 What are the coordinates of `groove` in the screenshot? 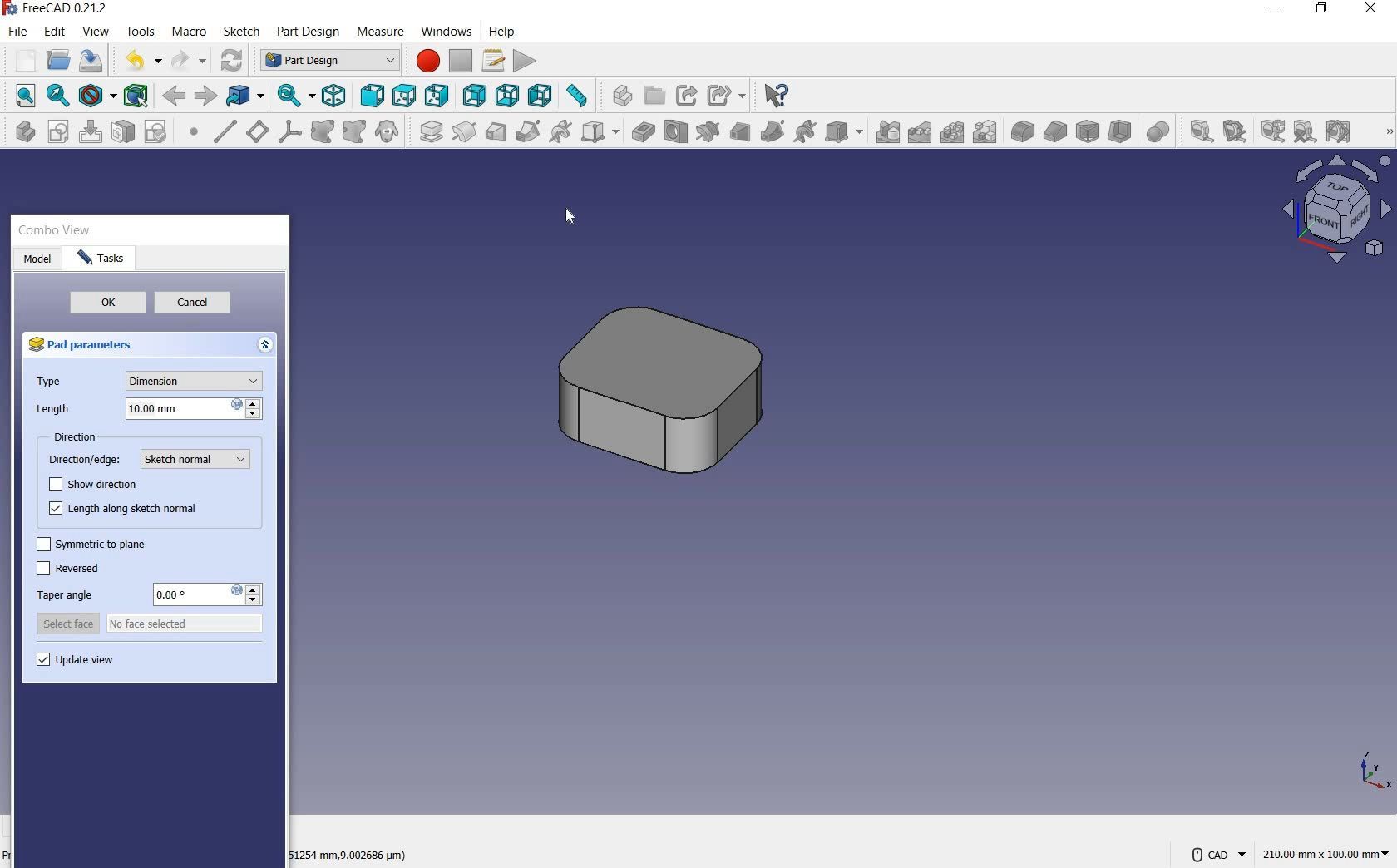 It's located at (707, 131).